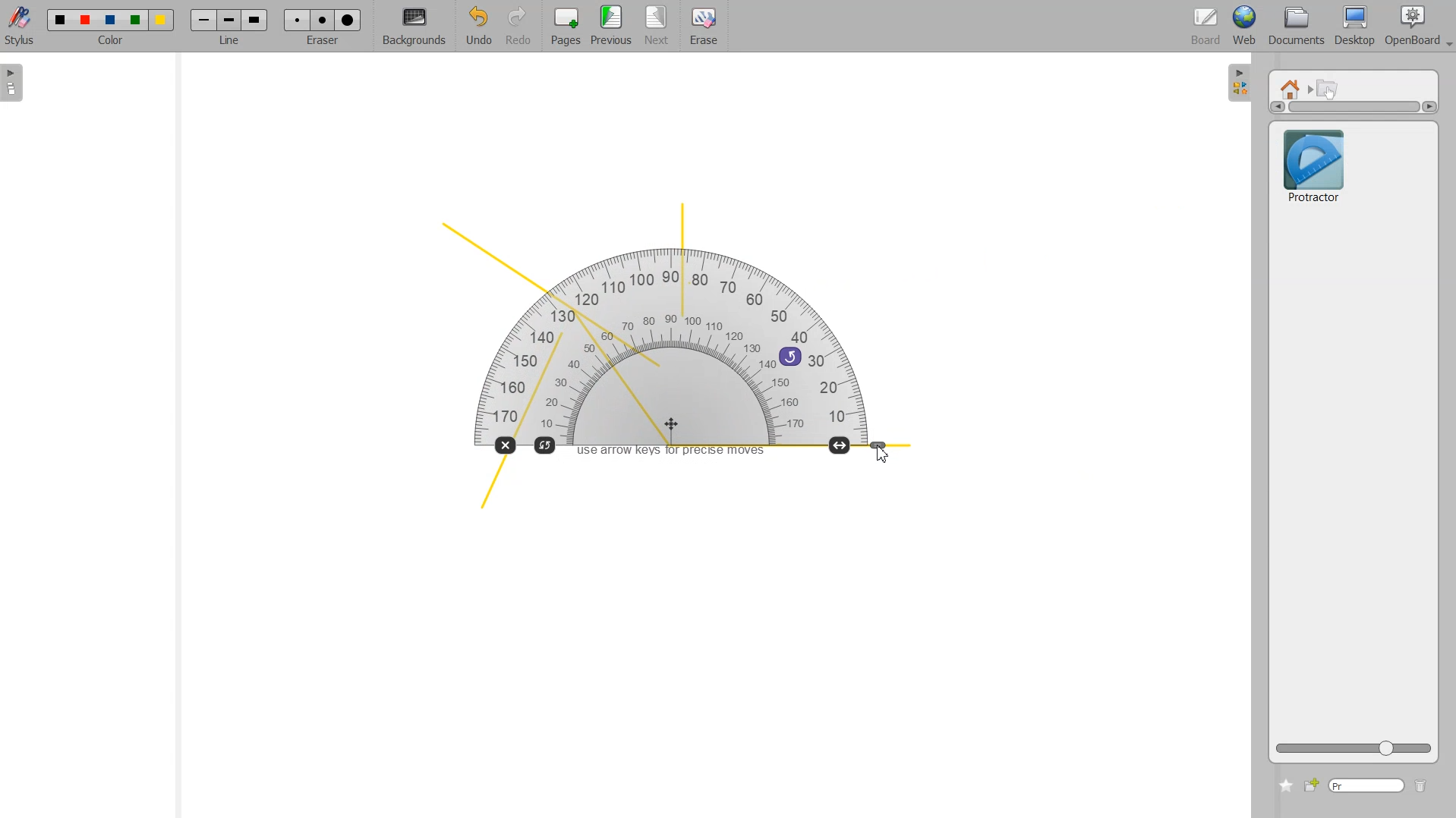  What do you see at coordinates (1354, 748) in the screenshot?
I see `ZOOM Icon ` at bounding box center [1354, 748].